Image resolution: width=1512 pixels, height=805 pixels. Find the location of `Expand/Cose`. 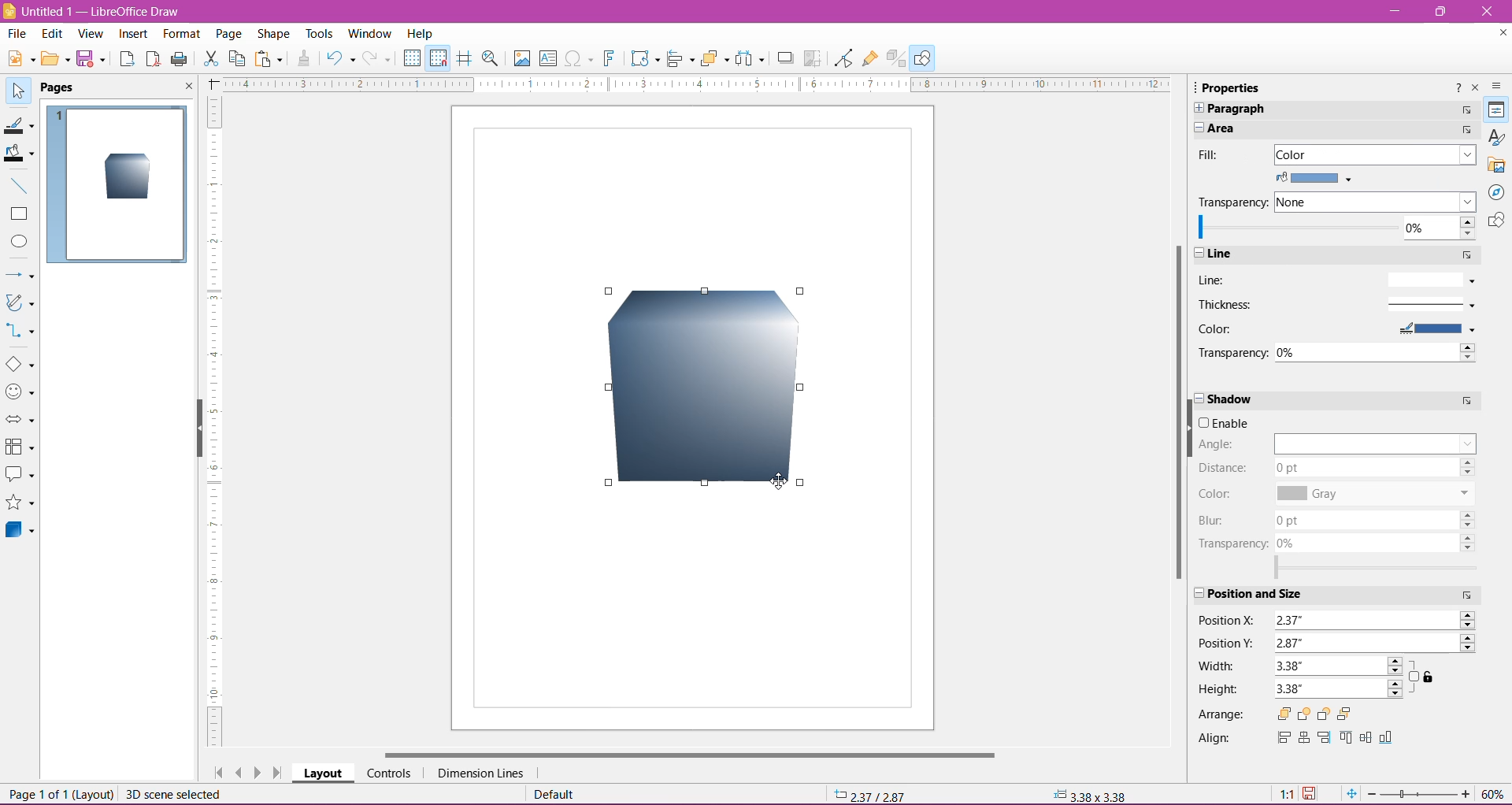

Expand/Cose is located at coordinates (1195, 590).